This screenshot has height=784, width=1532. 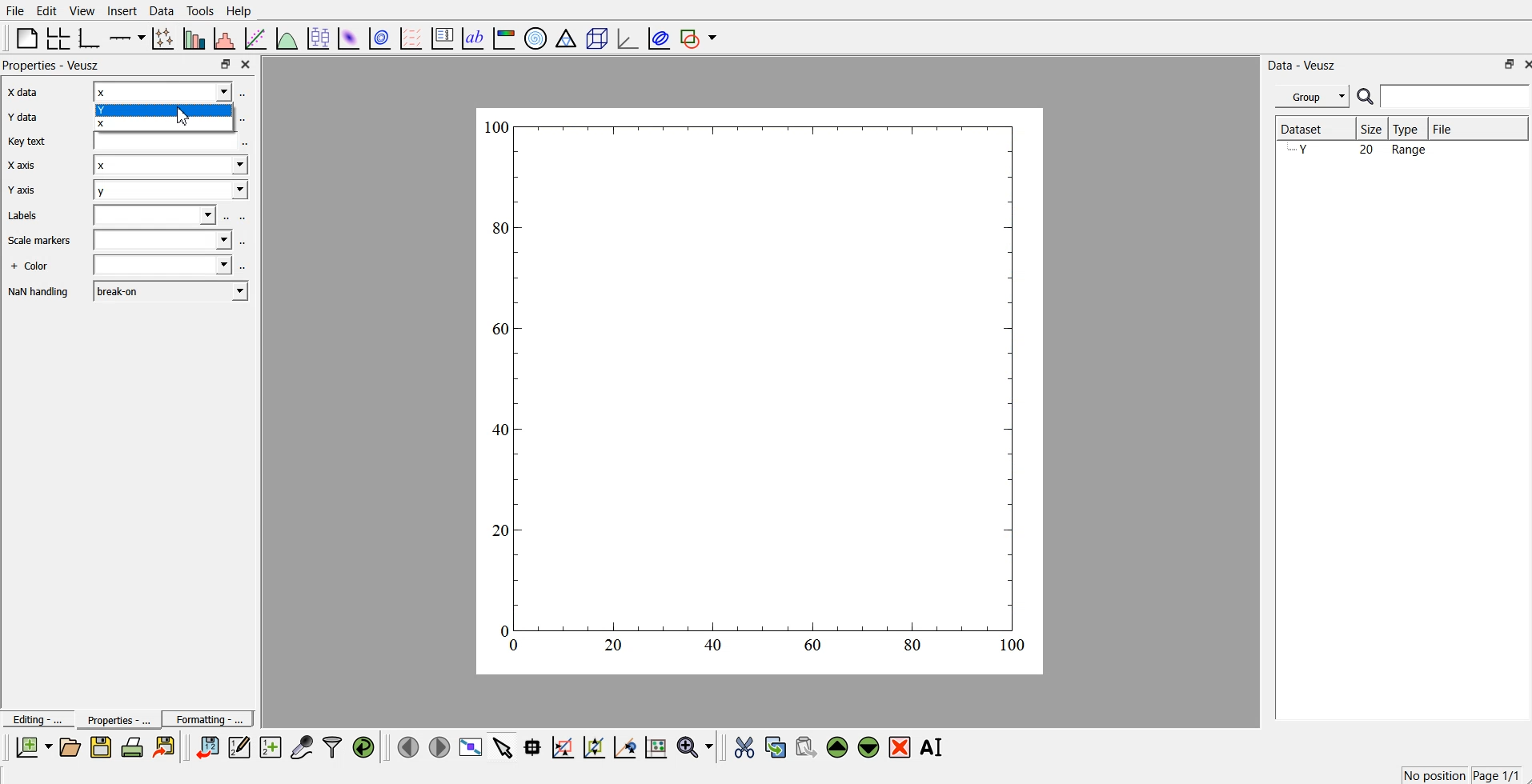 What do you see at coordinates (237, 747) in the screenshot?
I see `Edit and enter new dataset` at bounding box center [237, 747].